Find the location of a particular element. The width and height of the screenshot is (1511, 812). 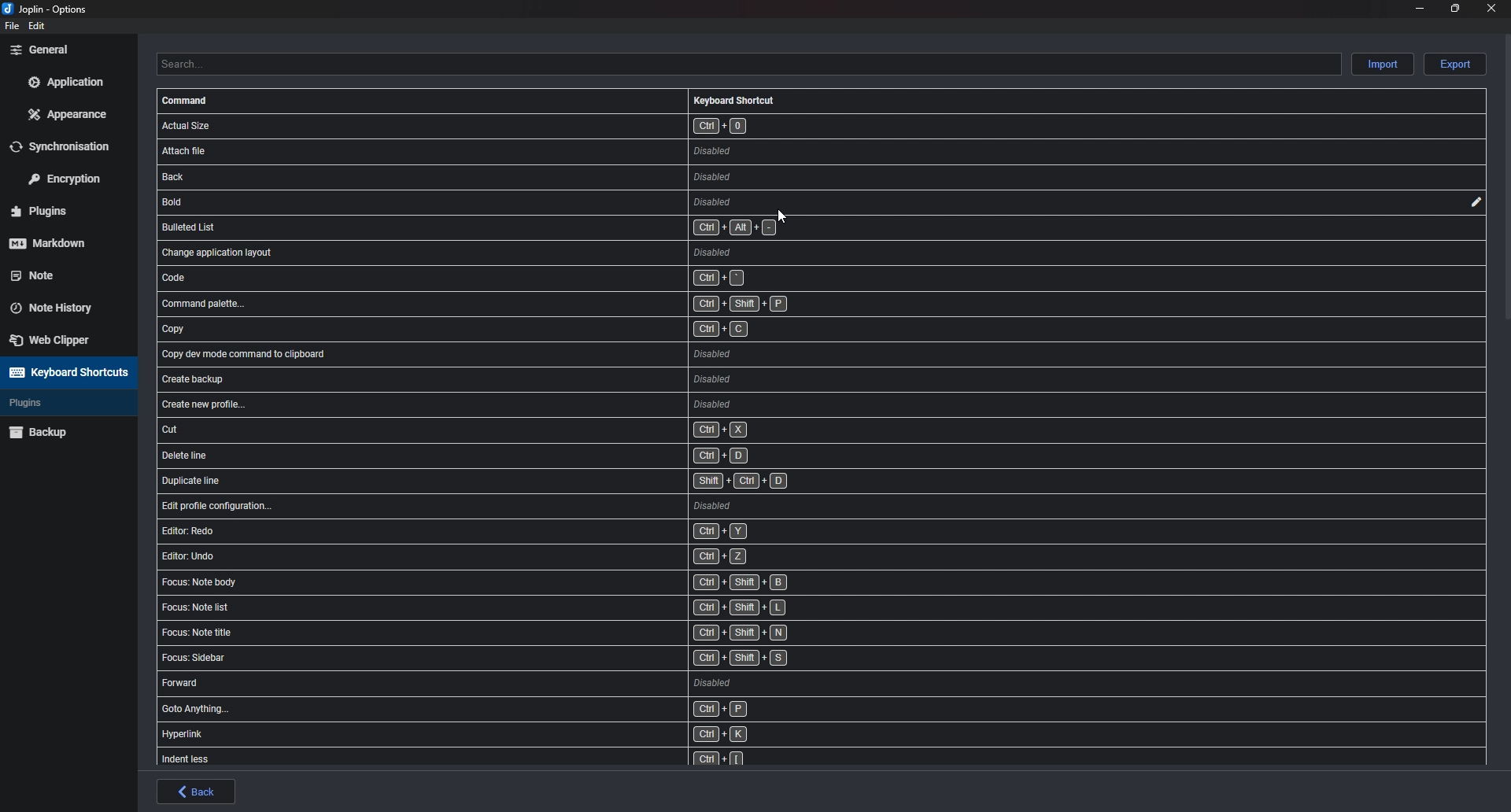

shortcut is located at coordinates (520, 150).